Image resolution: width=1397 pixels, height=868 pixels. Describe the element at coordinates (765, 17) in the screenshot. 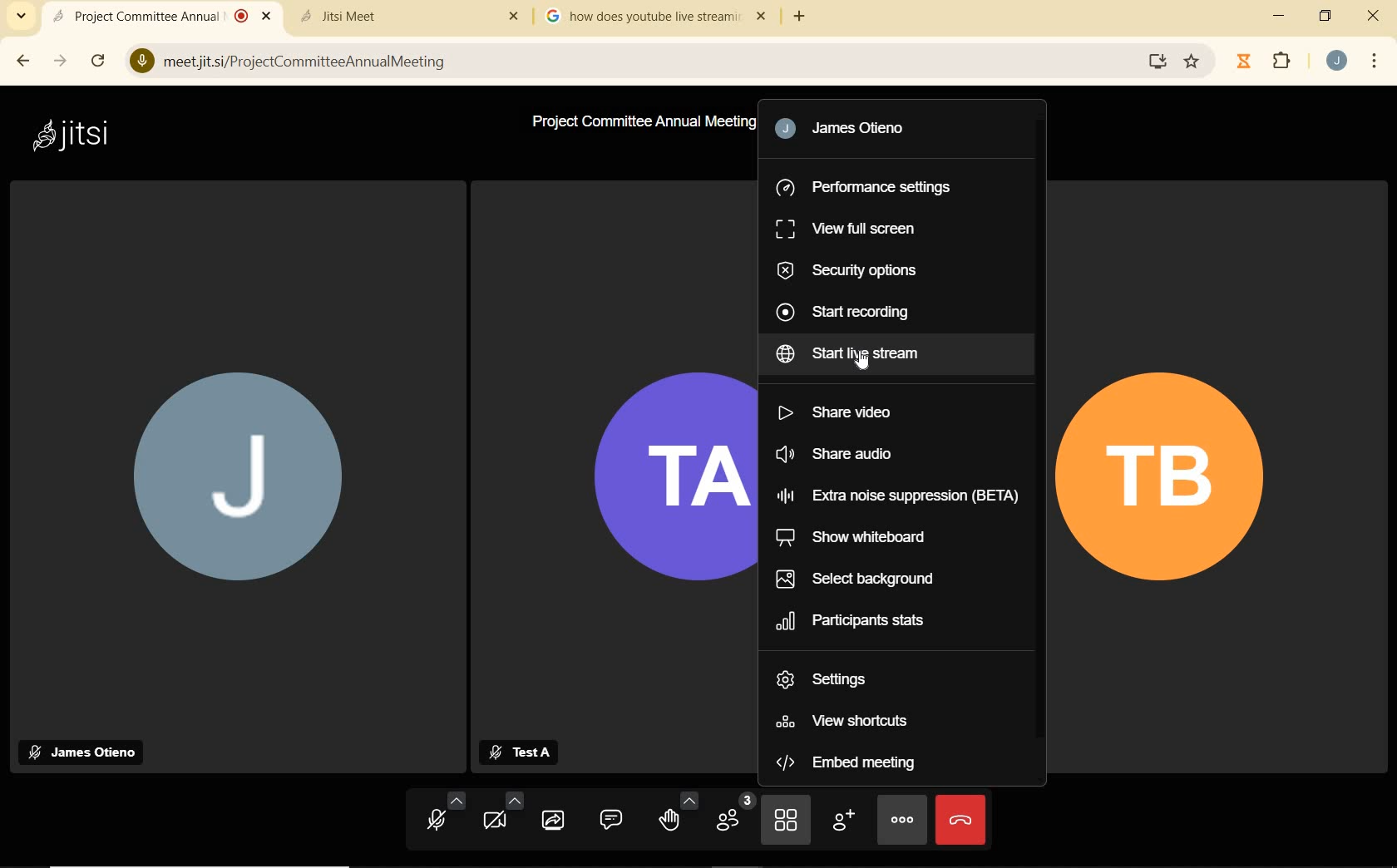

I see `close` at that location.